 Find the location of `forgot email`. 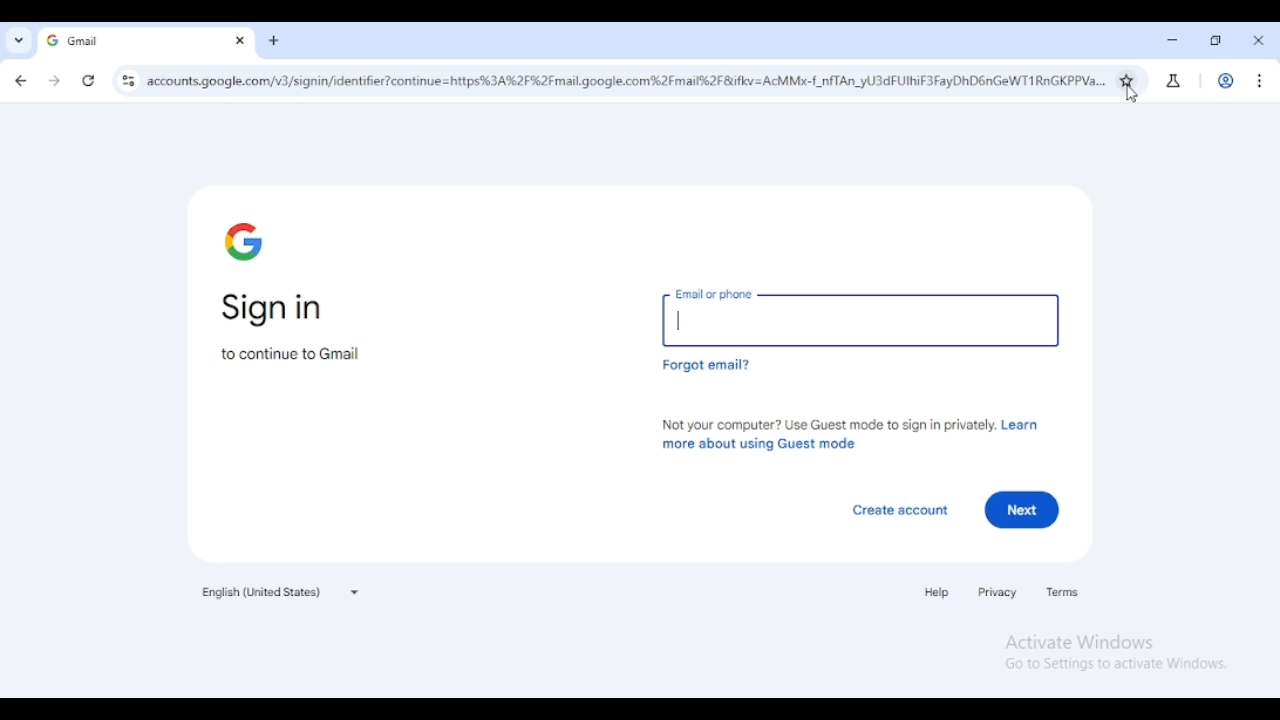

forgot email is located at coordinates (705, 365).